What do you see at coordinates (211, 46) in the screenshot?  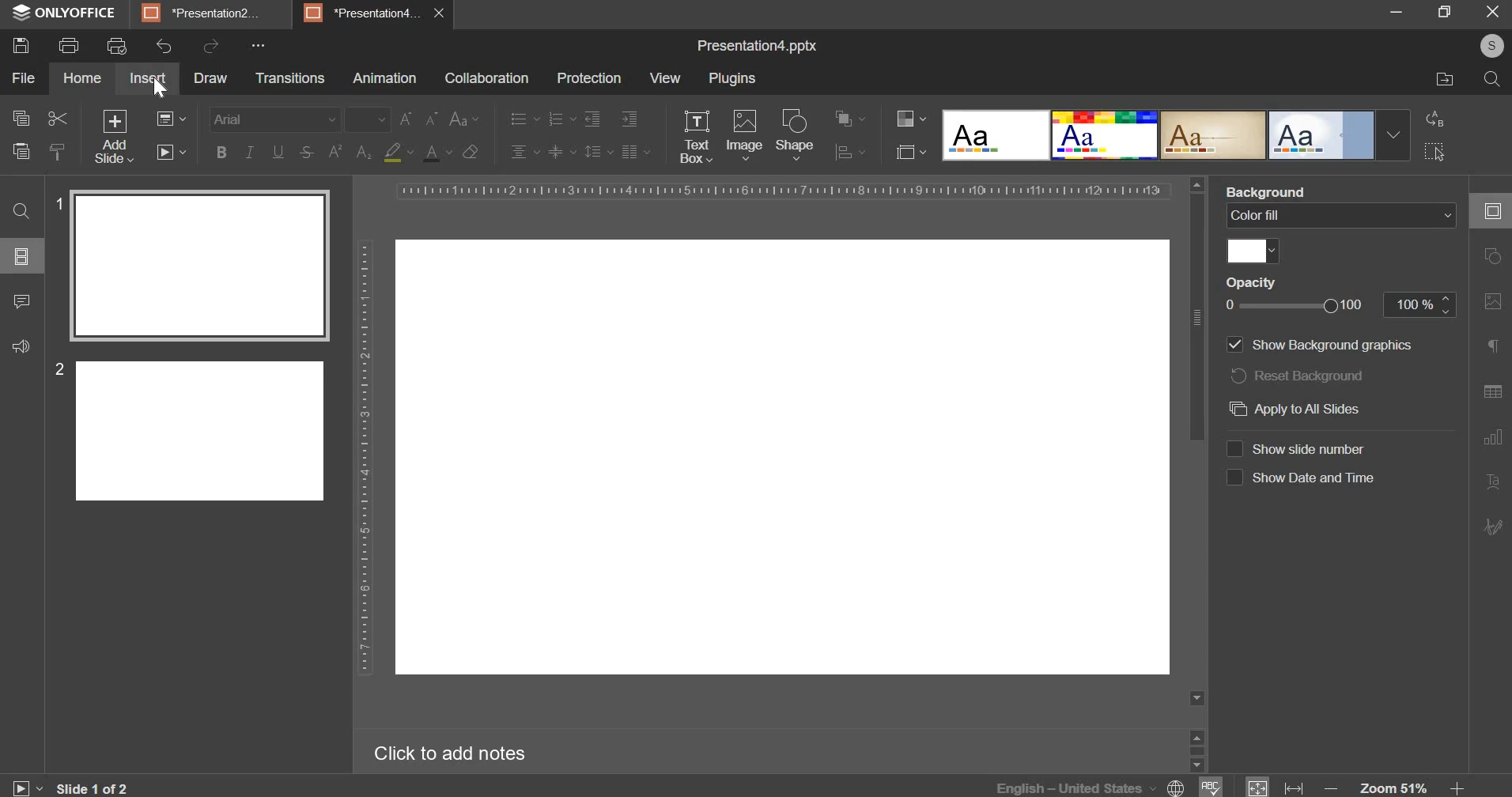 I see `redo` at bounding box center [211, 46].